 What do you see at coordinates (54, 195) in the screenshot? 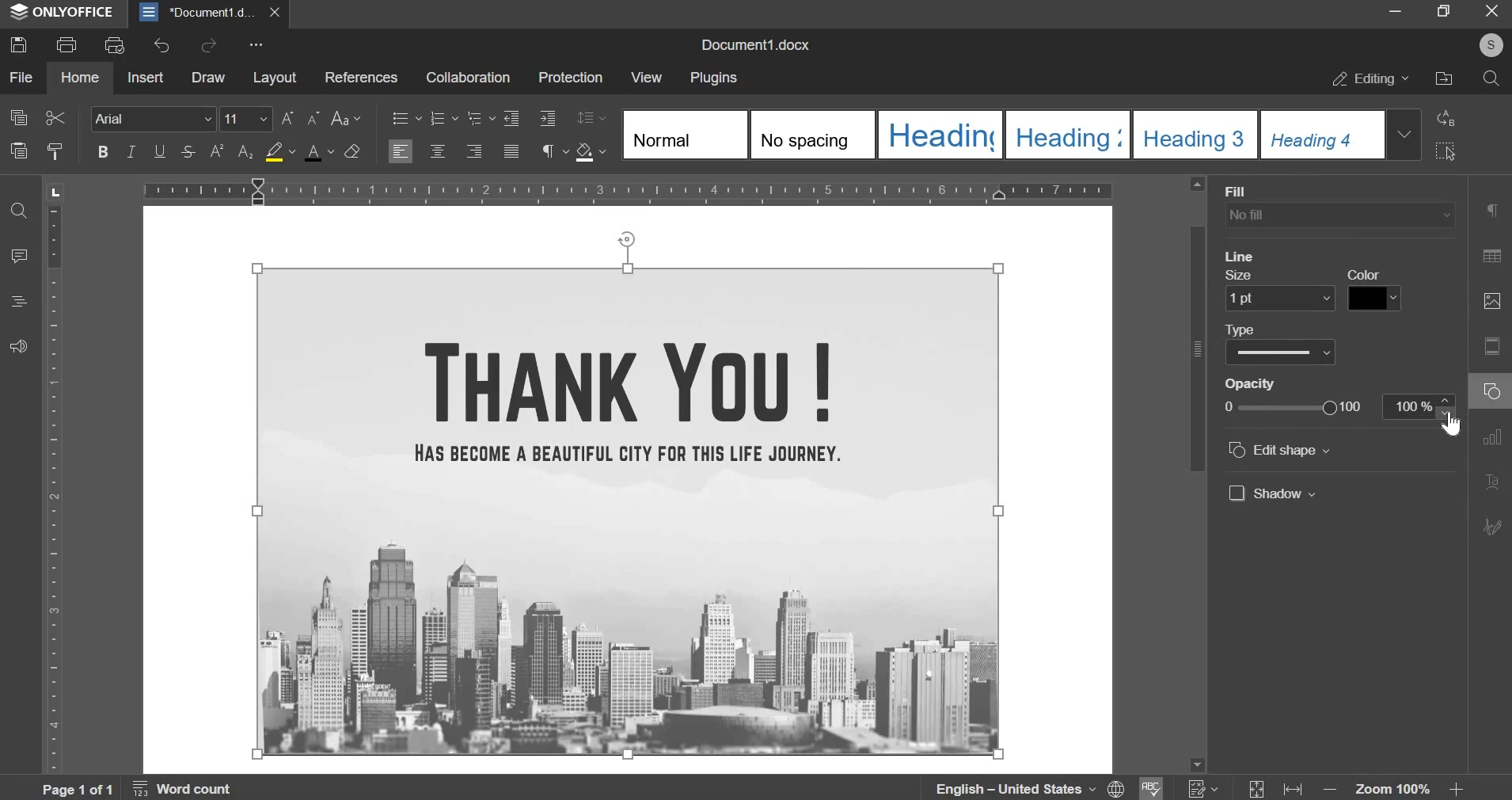
I see `tab` at bounding box center [54, 195].